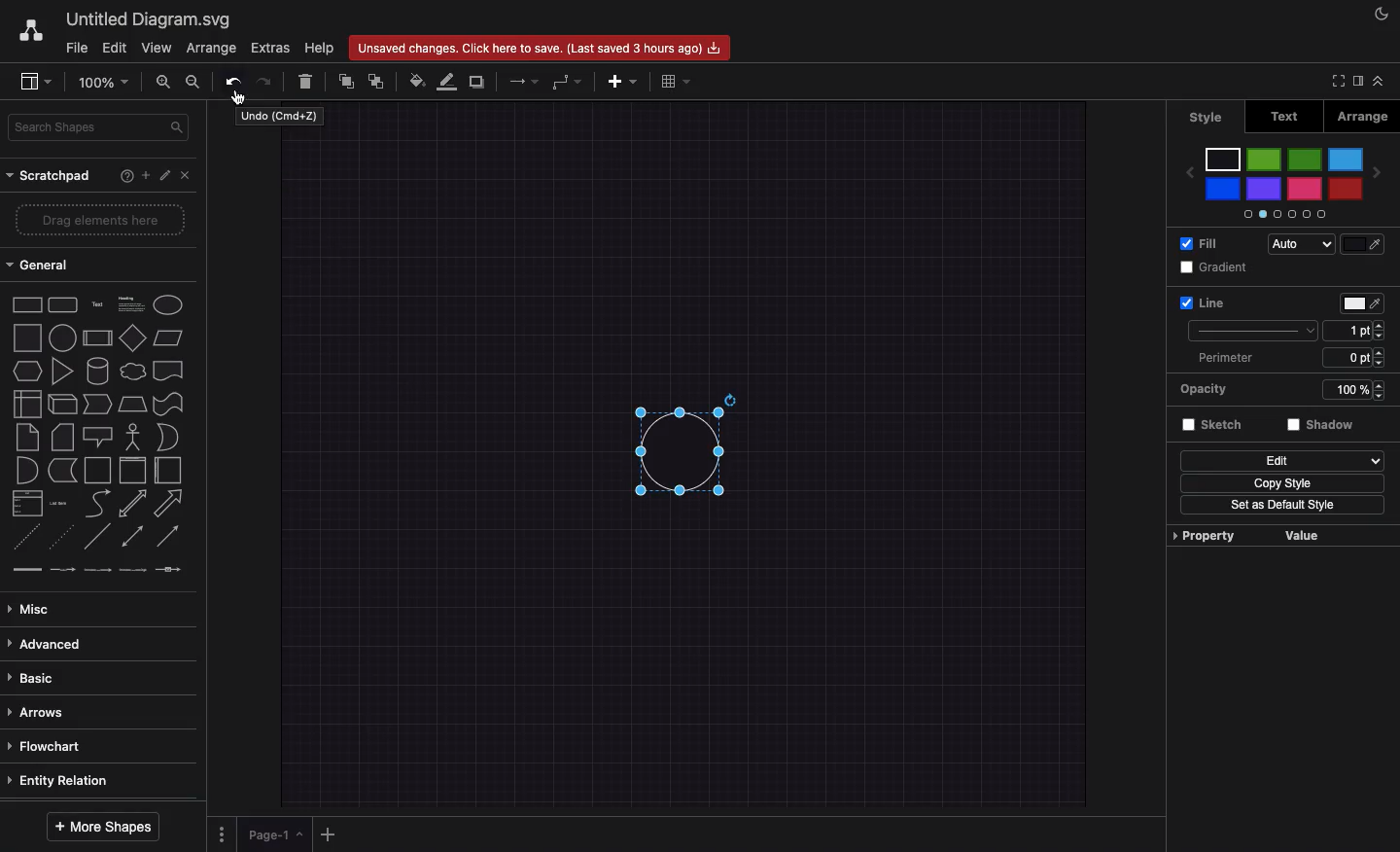  I want to click on page 1, so click(273, 834).